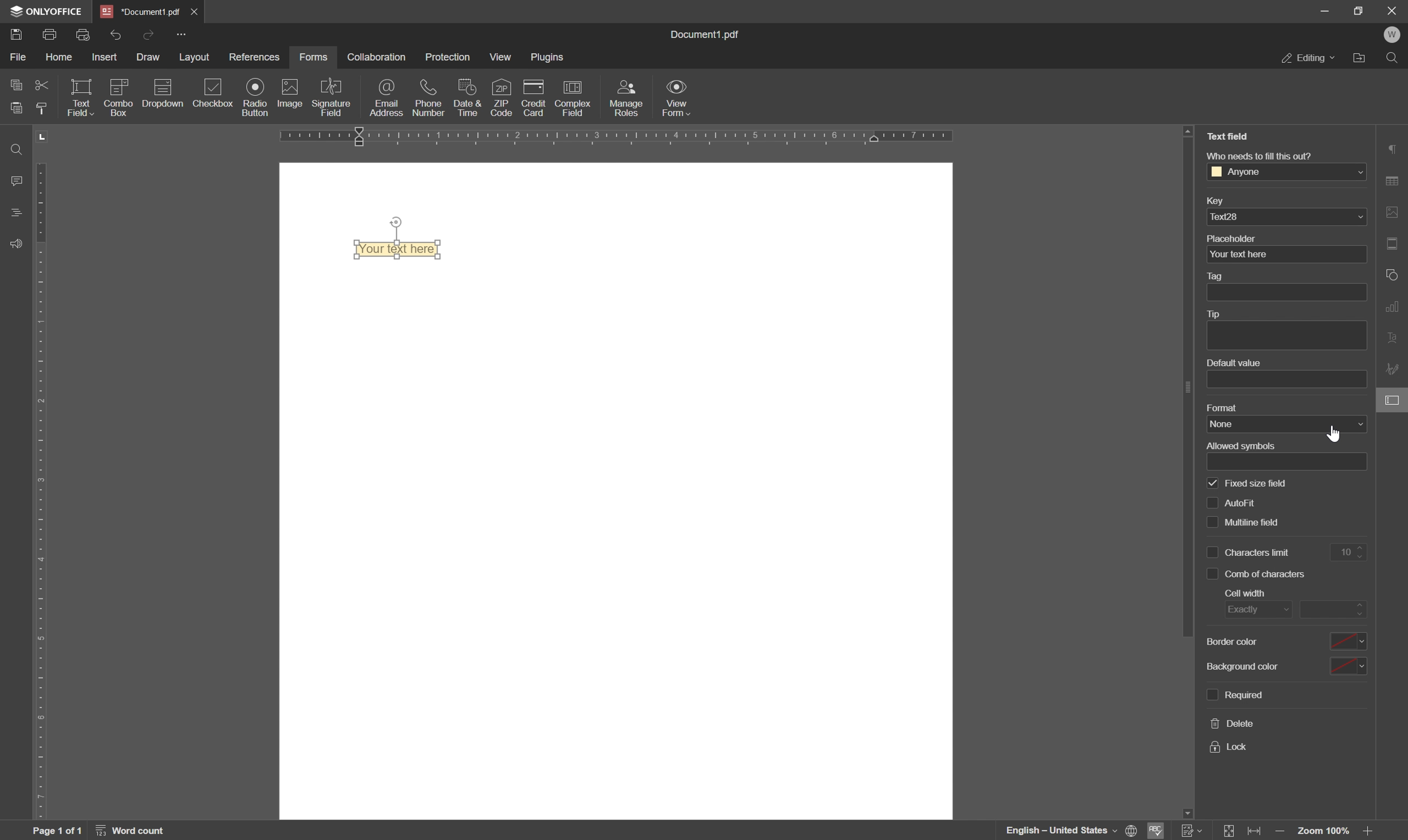 The image size is (1408, 840). Describe the element at coordinates (131, 831) in the screenshot. I see `word count` at that location.